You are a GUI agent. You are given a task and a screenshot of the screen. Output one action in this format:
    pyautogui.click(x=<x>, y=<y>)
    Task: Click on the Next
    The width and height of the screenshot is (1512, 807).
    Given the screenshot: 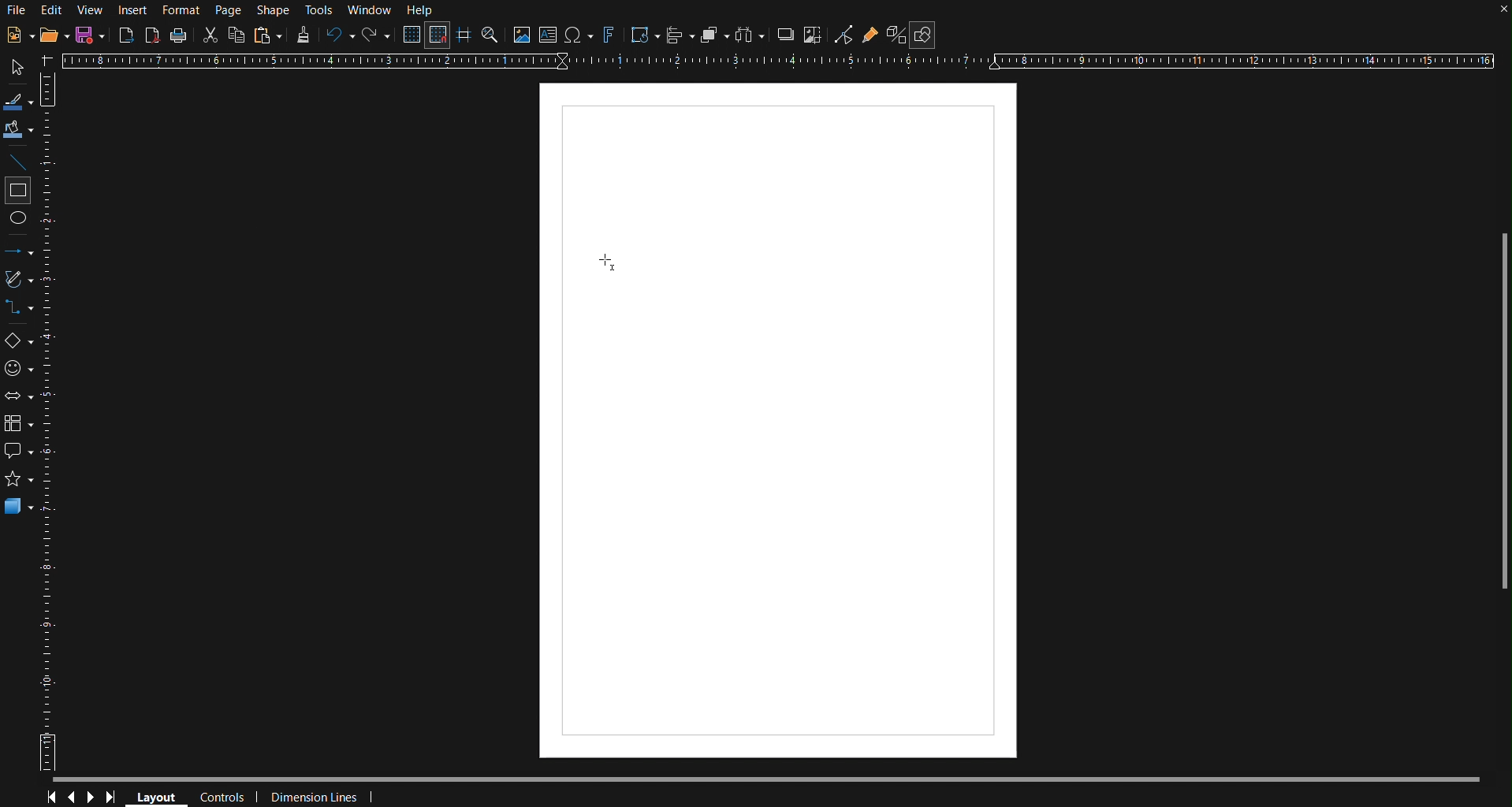 What is the action you would take?
    pyautogui.click(x=91, y=798)
    